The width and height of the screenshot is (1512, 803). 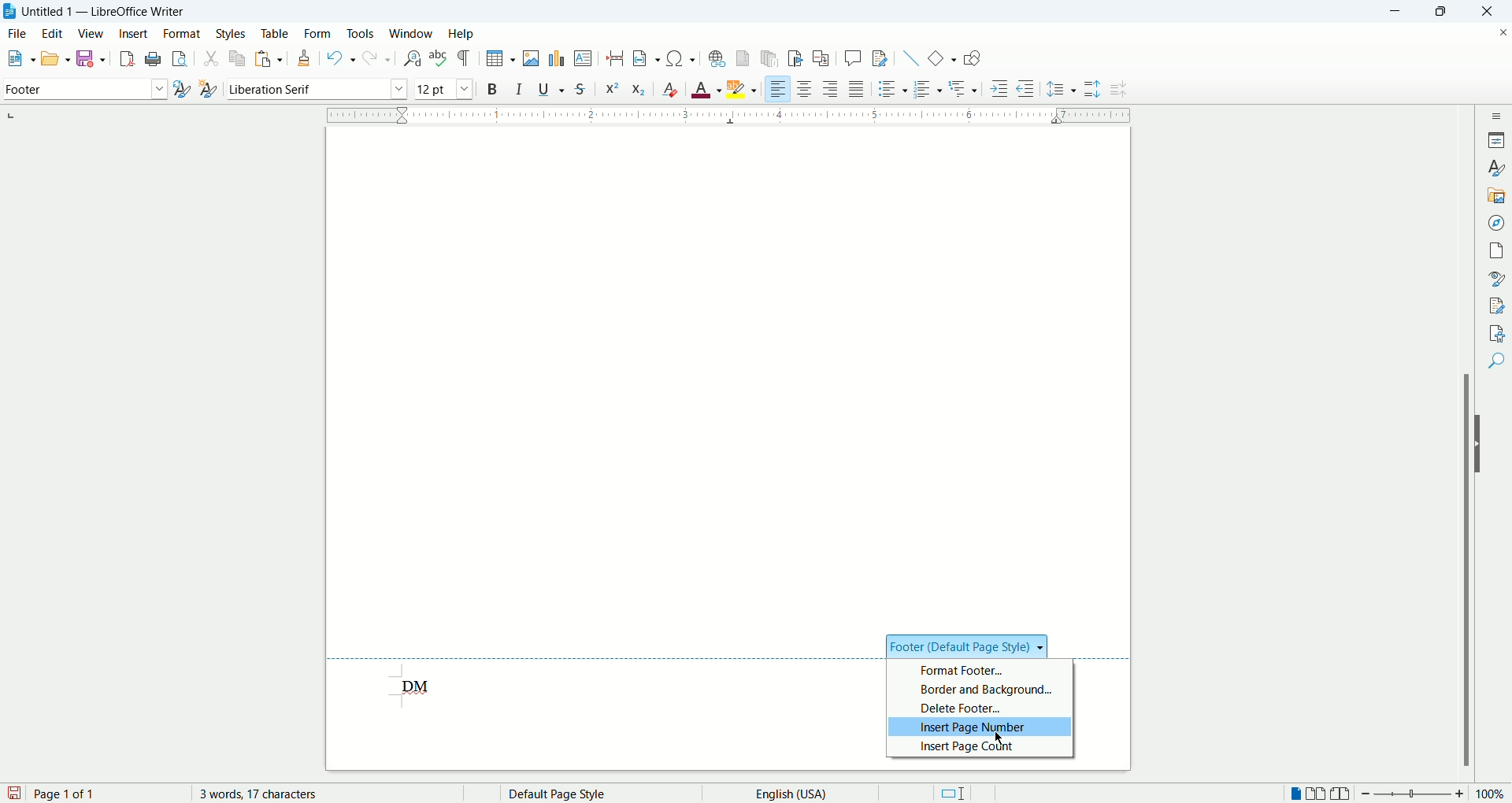 I want to click on align left, so click(x=779, y=90).